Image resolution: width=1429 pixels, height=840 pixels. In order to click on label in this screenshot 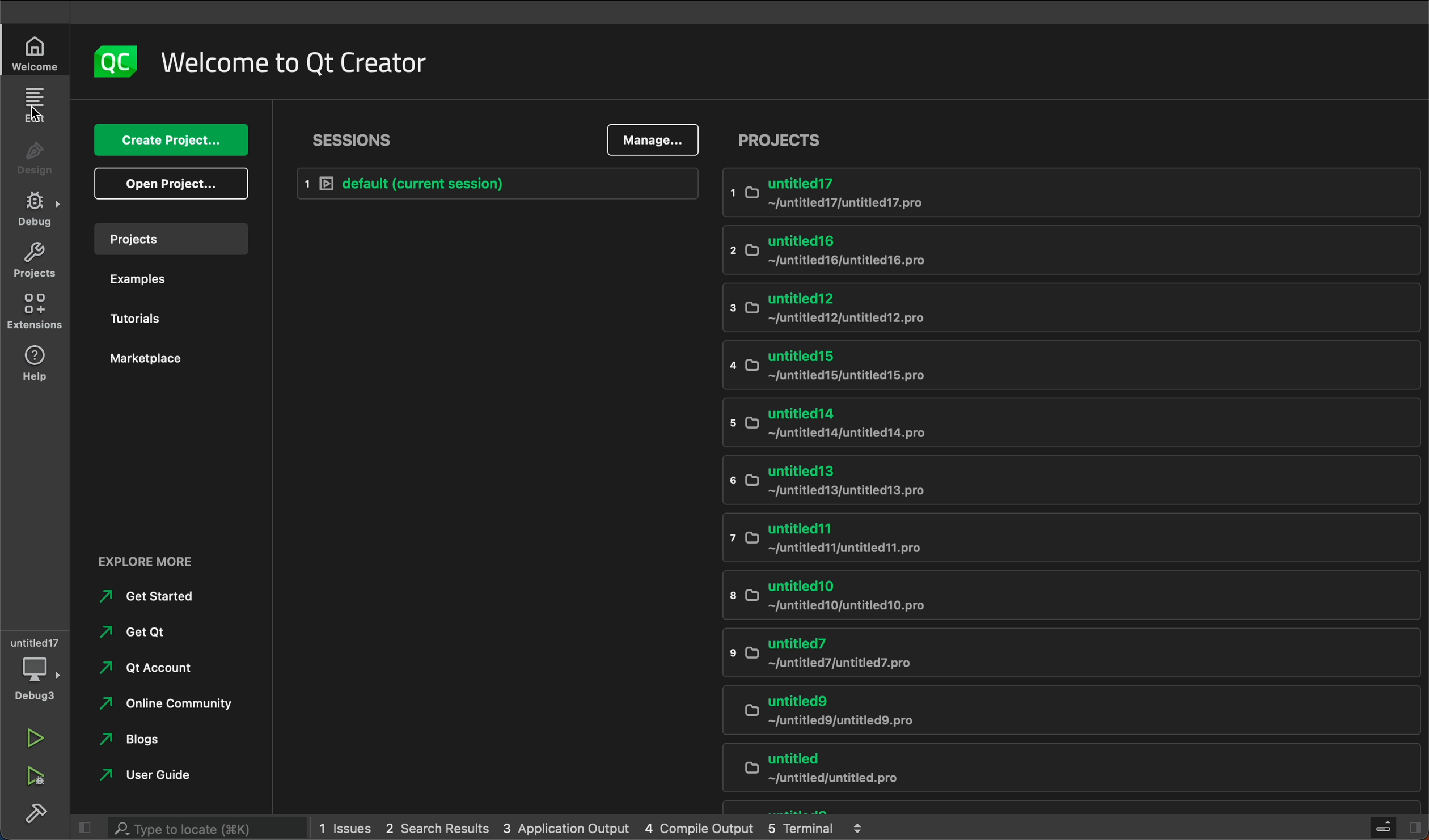, I will do `click(305, 63)`.